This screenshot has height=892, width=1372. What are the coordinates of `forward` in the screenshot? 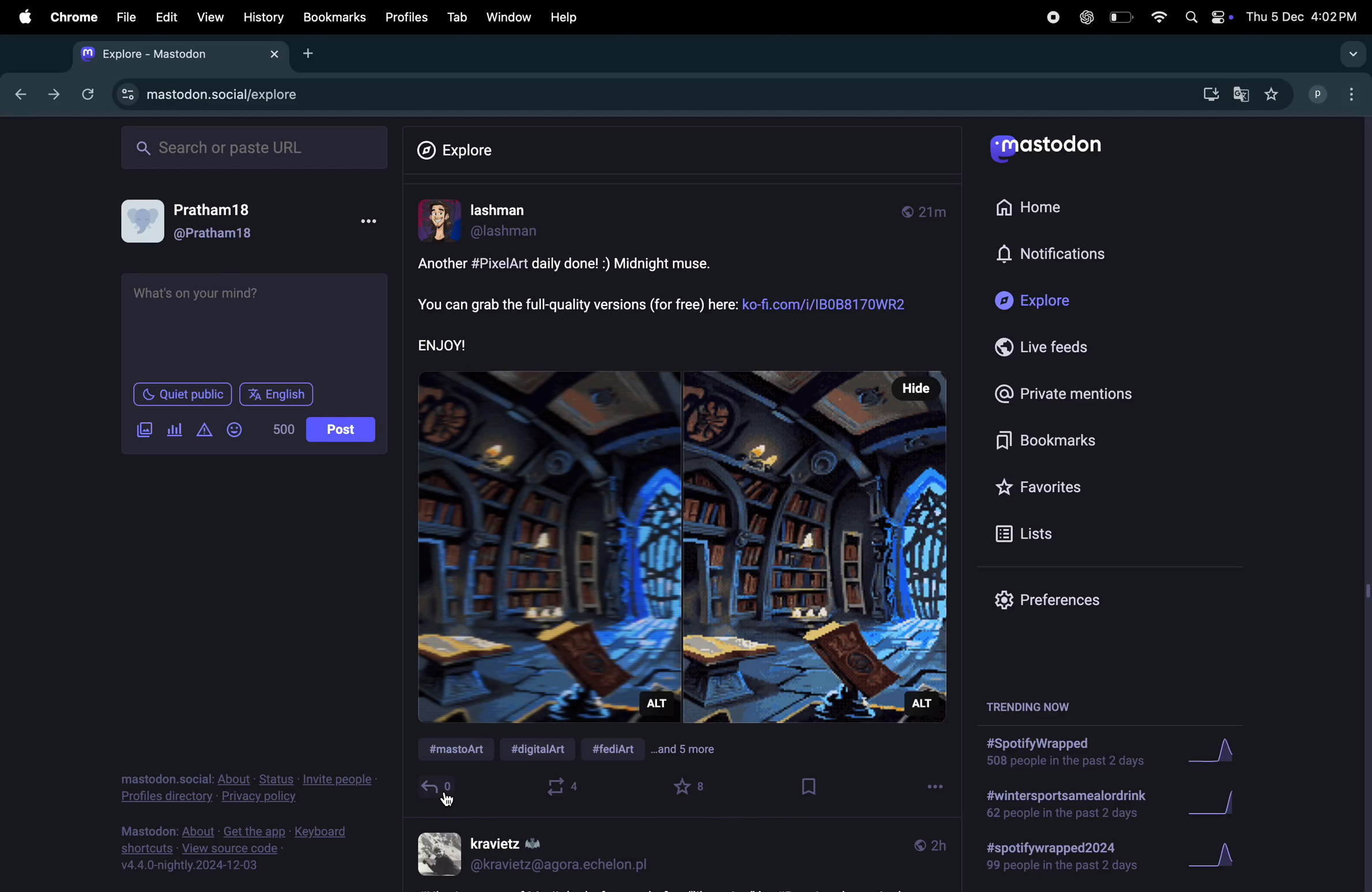 It's located at (52, 95).